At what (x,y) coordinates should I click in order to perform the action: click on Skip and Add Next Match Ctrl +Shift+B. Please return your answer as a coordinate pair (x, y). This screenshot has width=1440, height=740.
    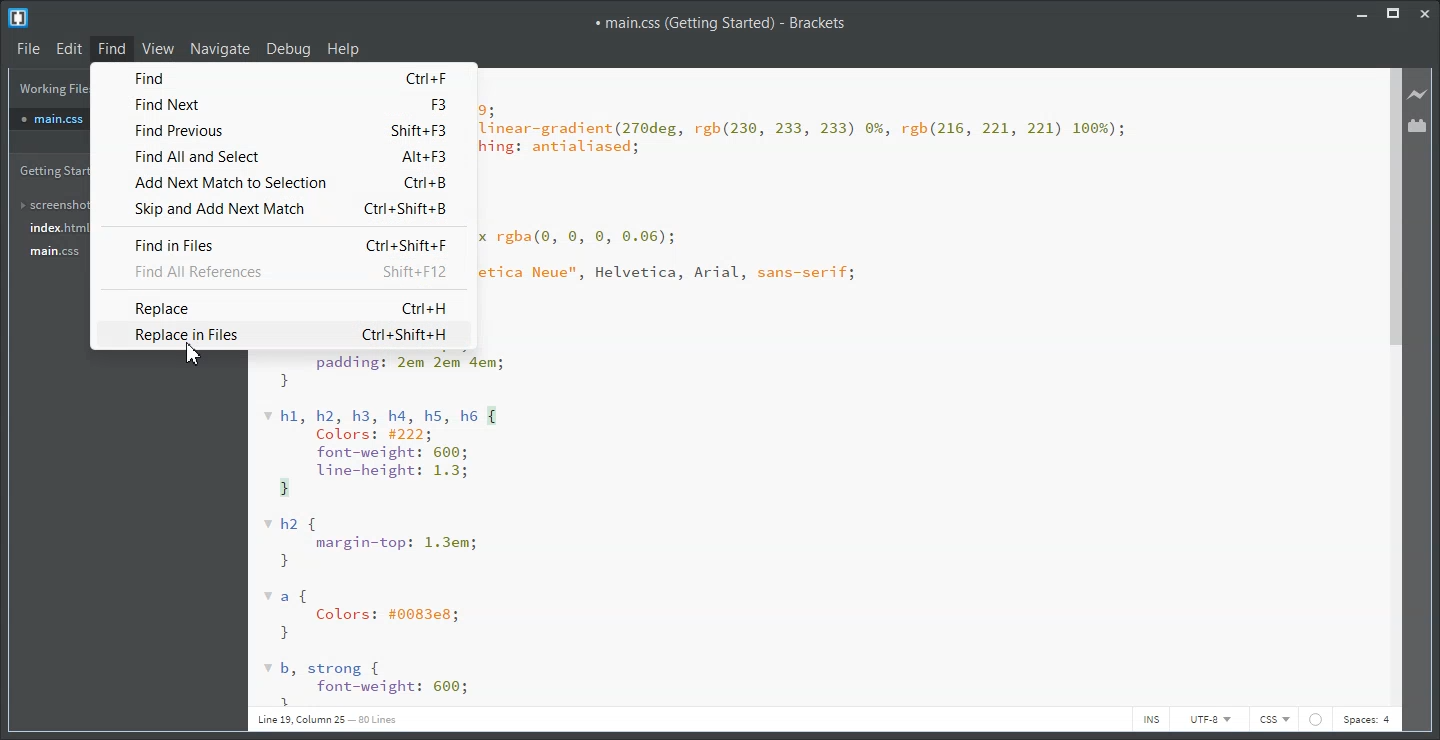
    Looking at the image, I should click on (282, 209).